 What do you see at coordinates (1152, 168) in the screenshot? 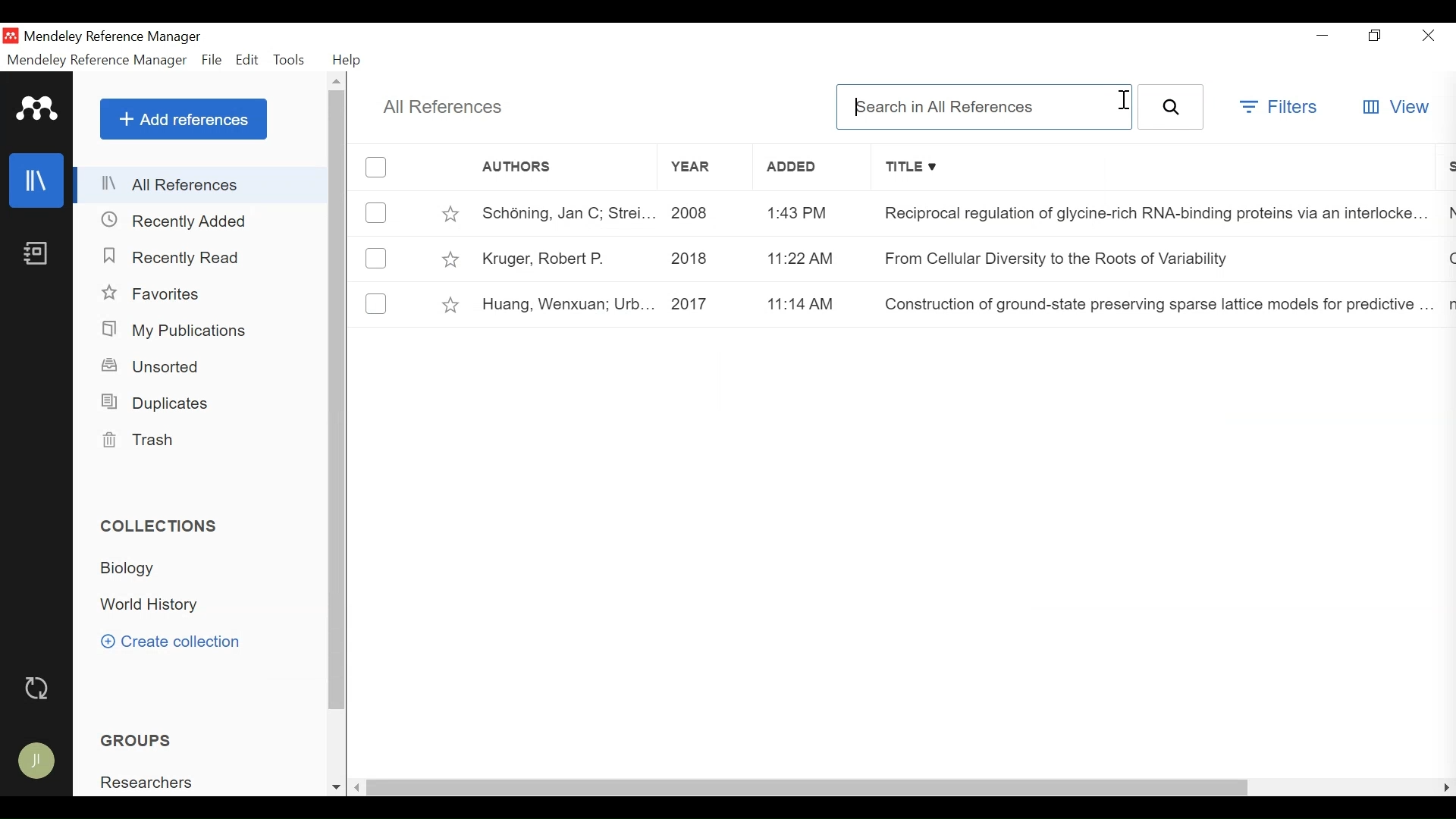
I see `Title` at bounding box center [1152, 168].